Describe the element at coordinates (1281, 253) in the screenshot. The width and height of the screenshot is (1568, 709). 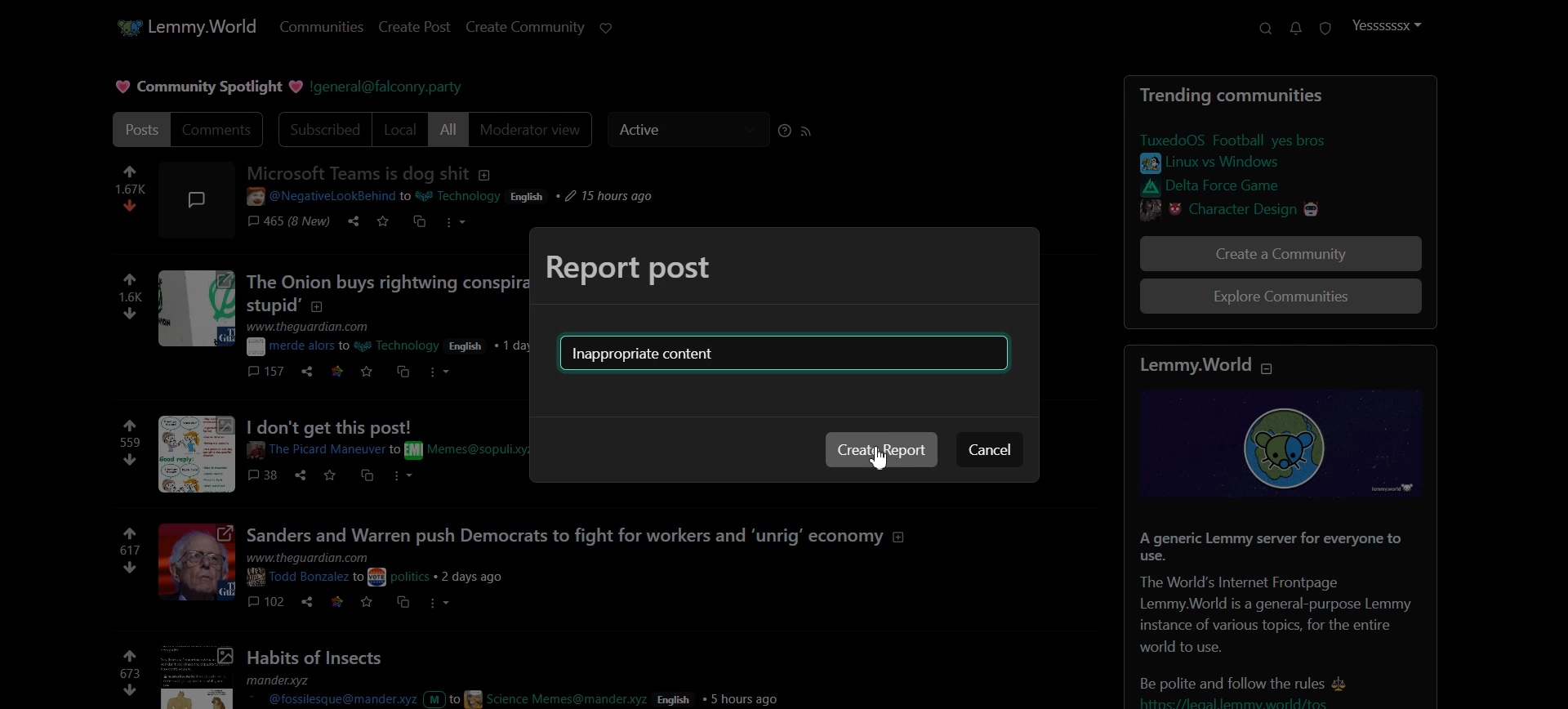
I see `Create a Community` at that location.